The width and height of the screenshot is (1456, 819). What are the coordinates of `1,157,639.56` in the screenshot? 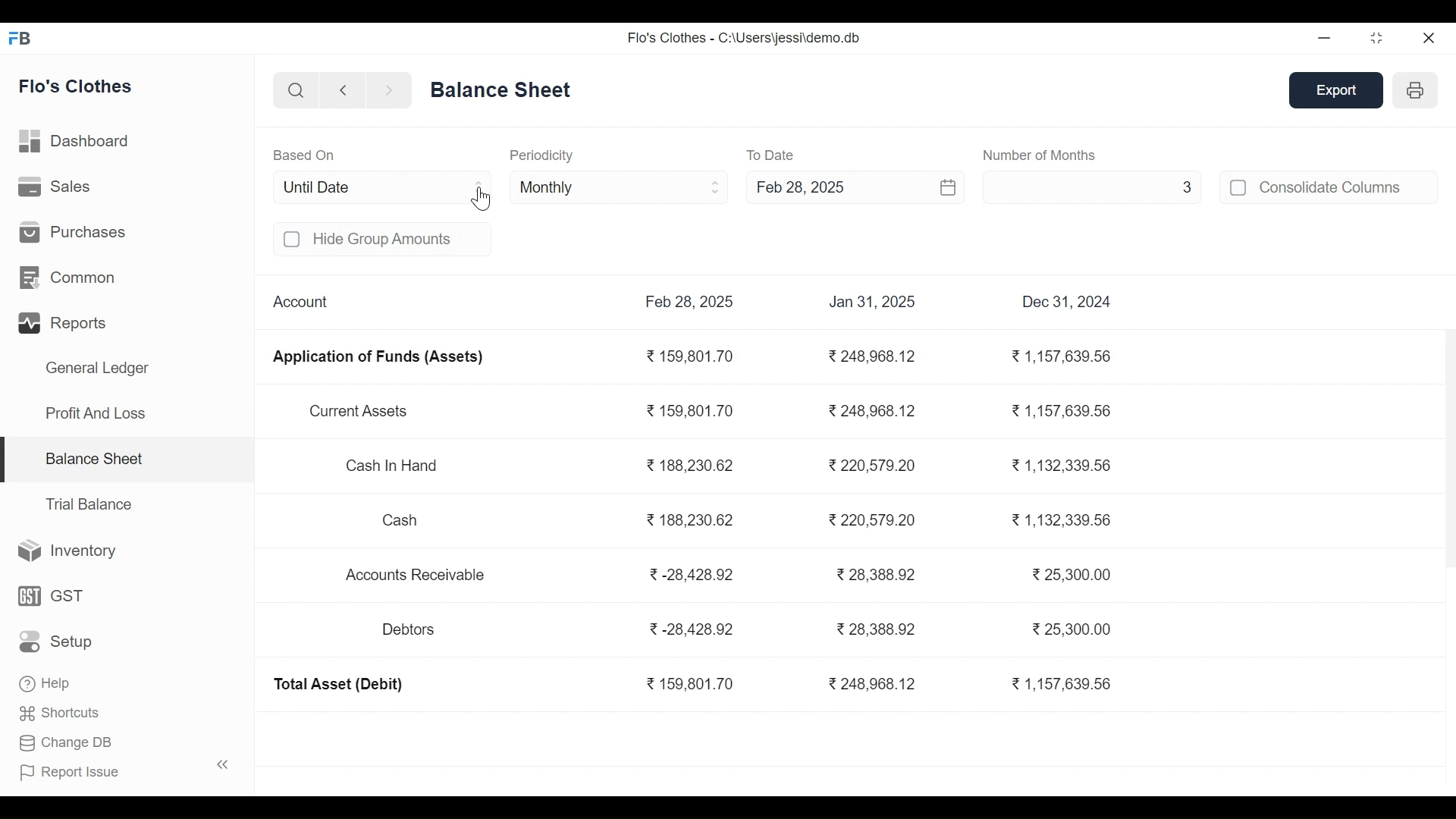 It's located at (1064, 357).